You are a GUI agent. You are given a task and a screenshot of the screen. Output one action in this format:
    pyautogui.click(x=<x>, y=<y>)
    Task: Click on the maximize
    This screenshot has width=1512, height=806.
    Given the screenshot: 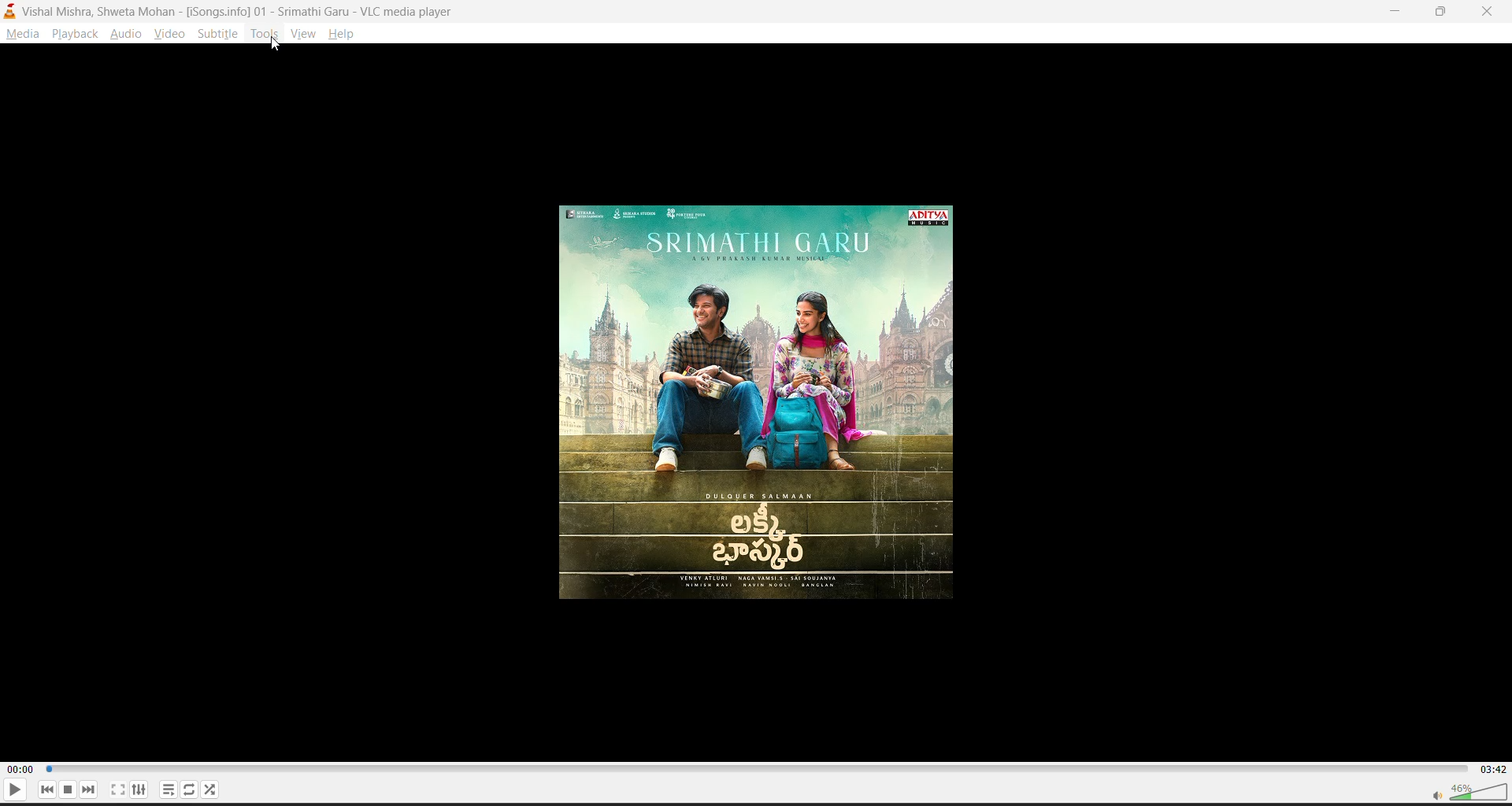 What is the action you would take?
    pyautogui.click(x=1444, y=12)
    